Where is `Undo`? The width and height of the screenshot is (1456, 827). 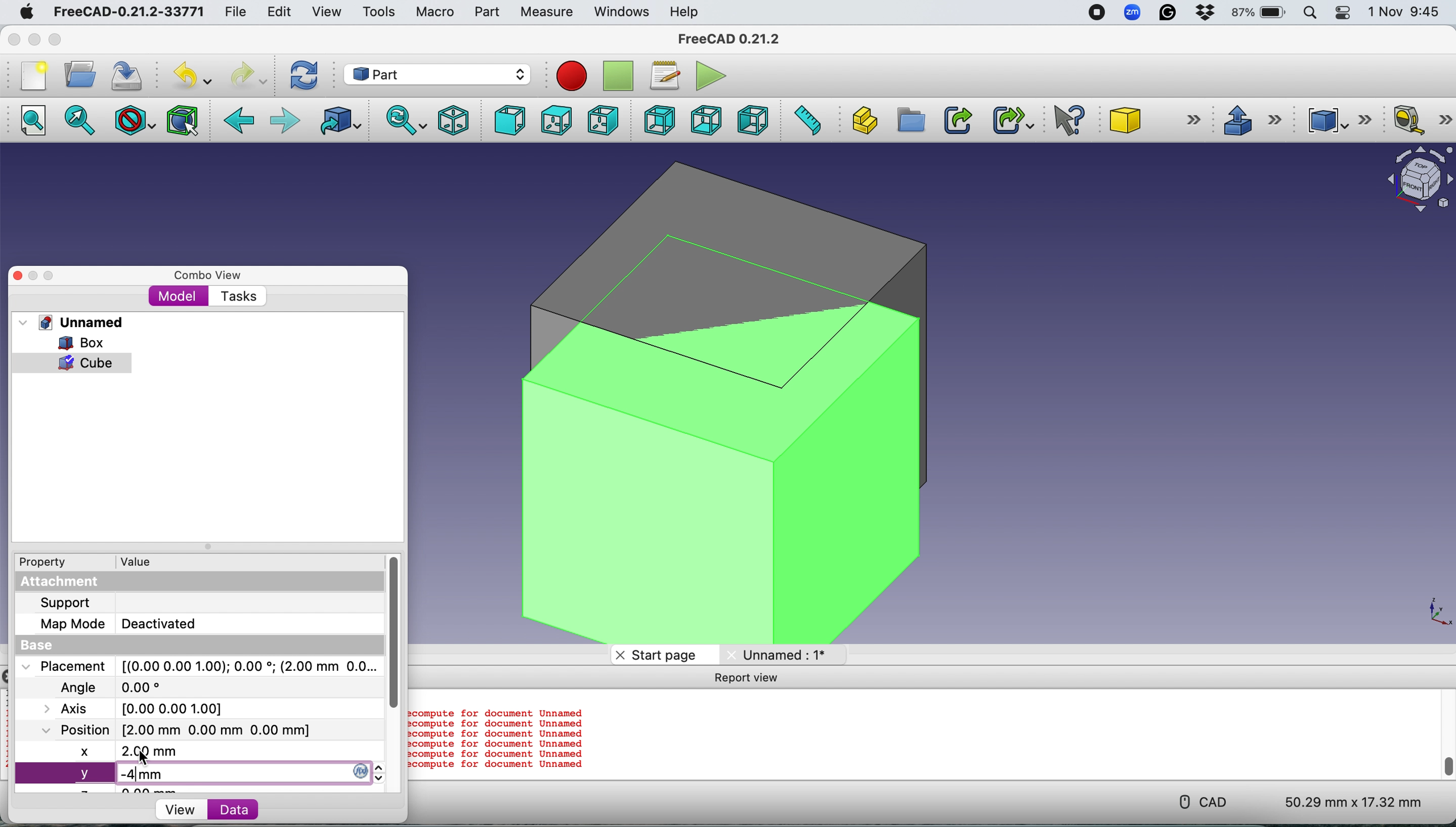 Undo is located at coordinates (195, 76).